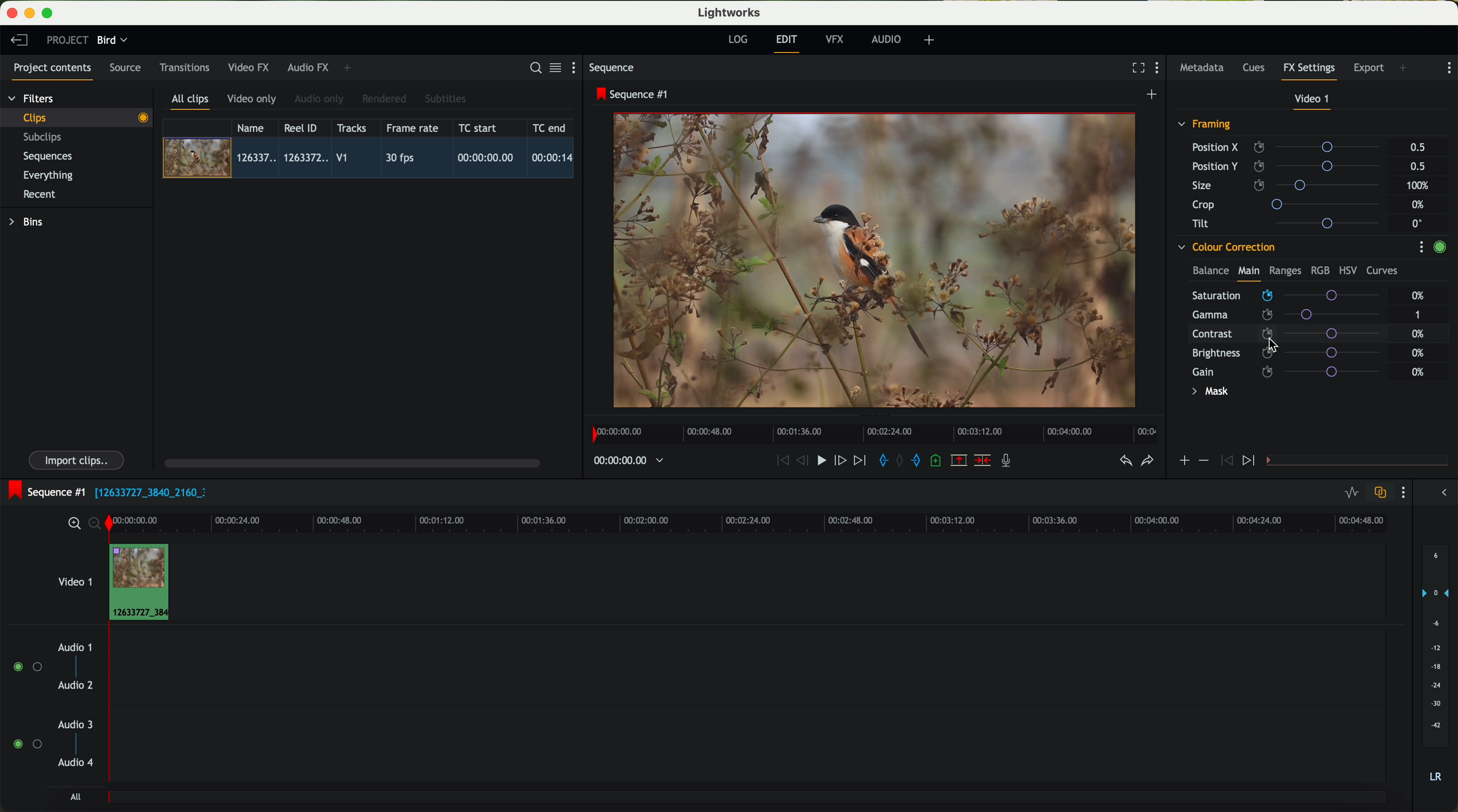 Image resolution: width=1458 pixels, height=812 pixels. I want to click on everything, so click(49, 175).